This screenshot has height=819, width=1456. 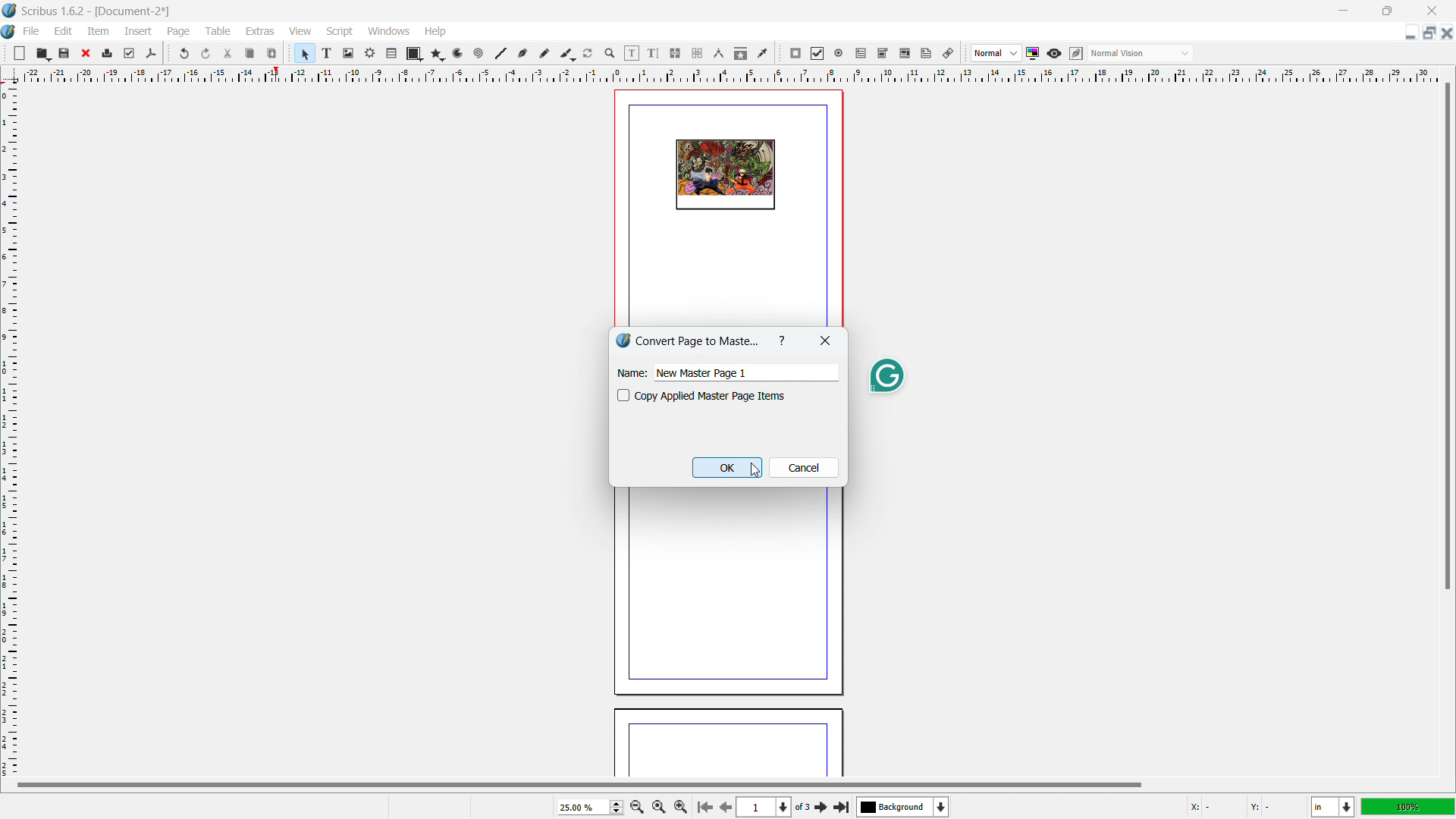 What do you see at coordinates (1447, 33) in the screenshot?
I see `close document` at bounding box center [1447, 33].